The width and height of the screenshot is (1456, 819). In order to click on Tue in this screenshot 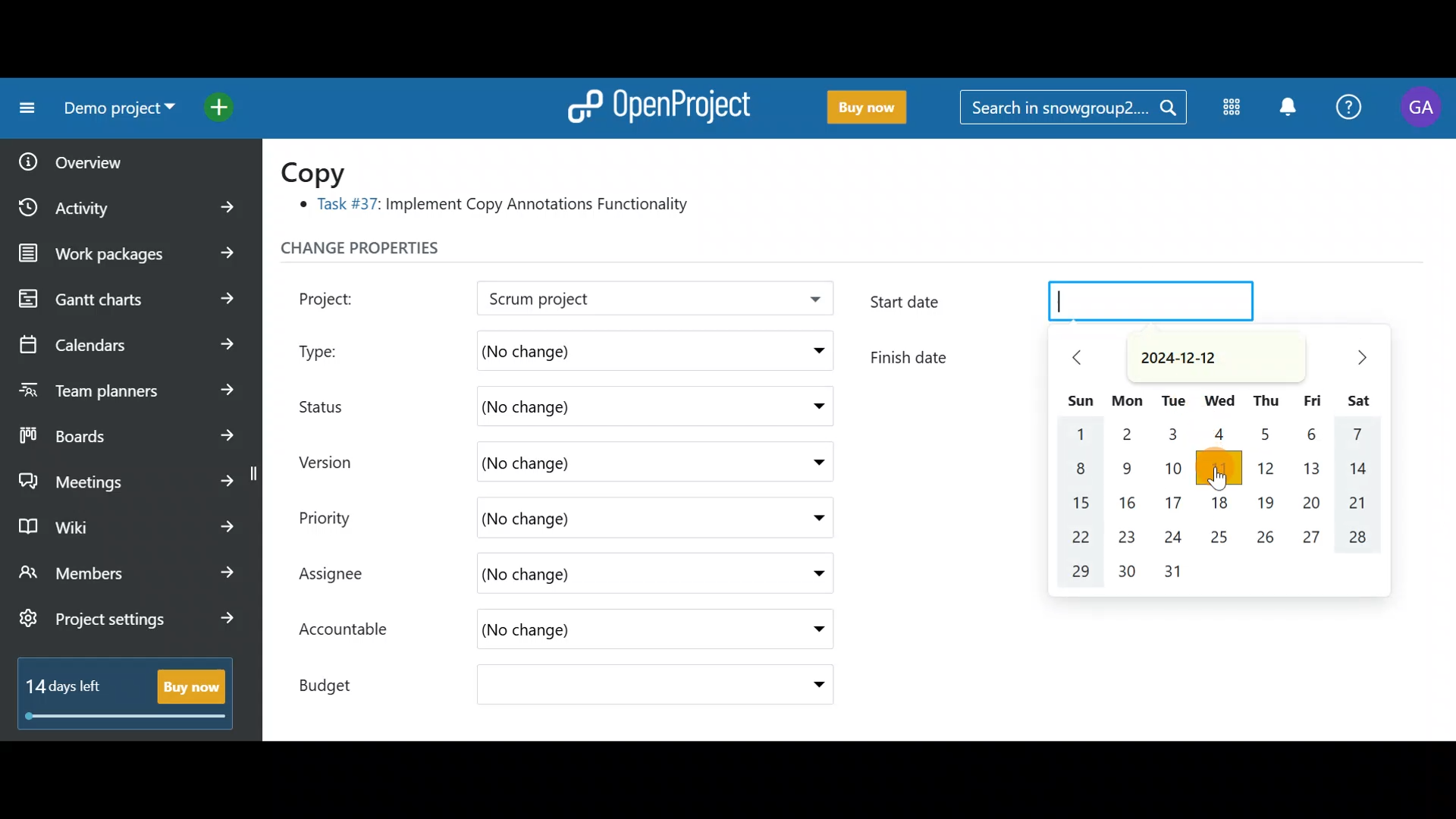, I will do `click(1173, 401)`.